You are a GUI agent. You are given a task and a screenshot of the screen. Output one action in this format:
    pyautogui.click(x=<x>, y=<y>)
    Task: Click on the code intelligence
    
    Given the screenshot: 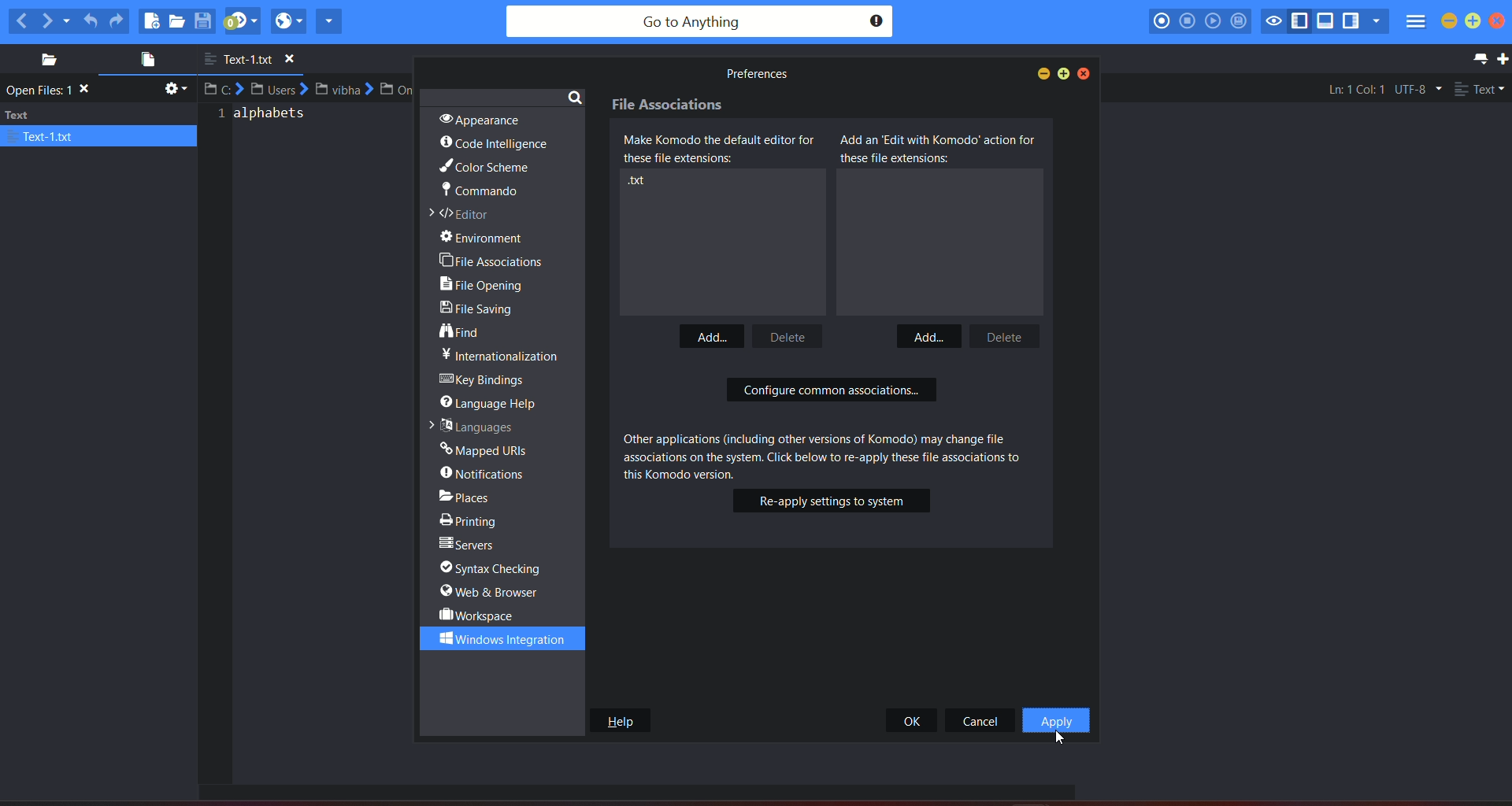 What is the action you would take?
    pyautogui.click(x=495, y=144)
    